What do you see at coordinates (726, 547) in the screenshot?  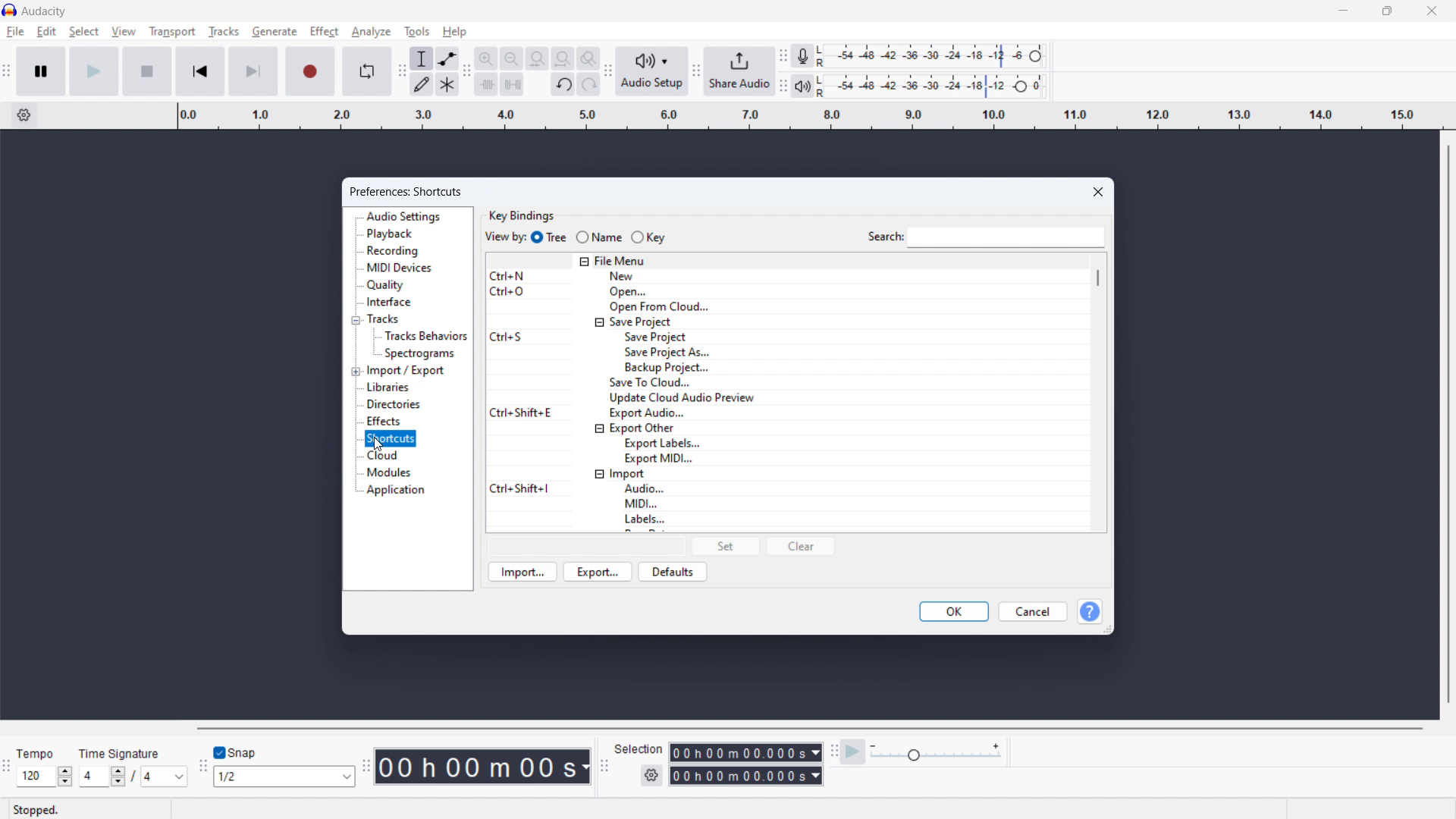 I see `set` at bounding box center [726, 547].